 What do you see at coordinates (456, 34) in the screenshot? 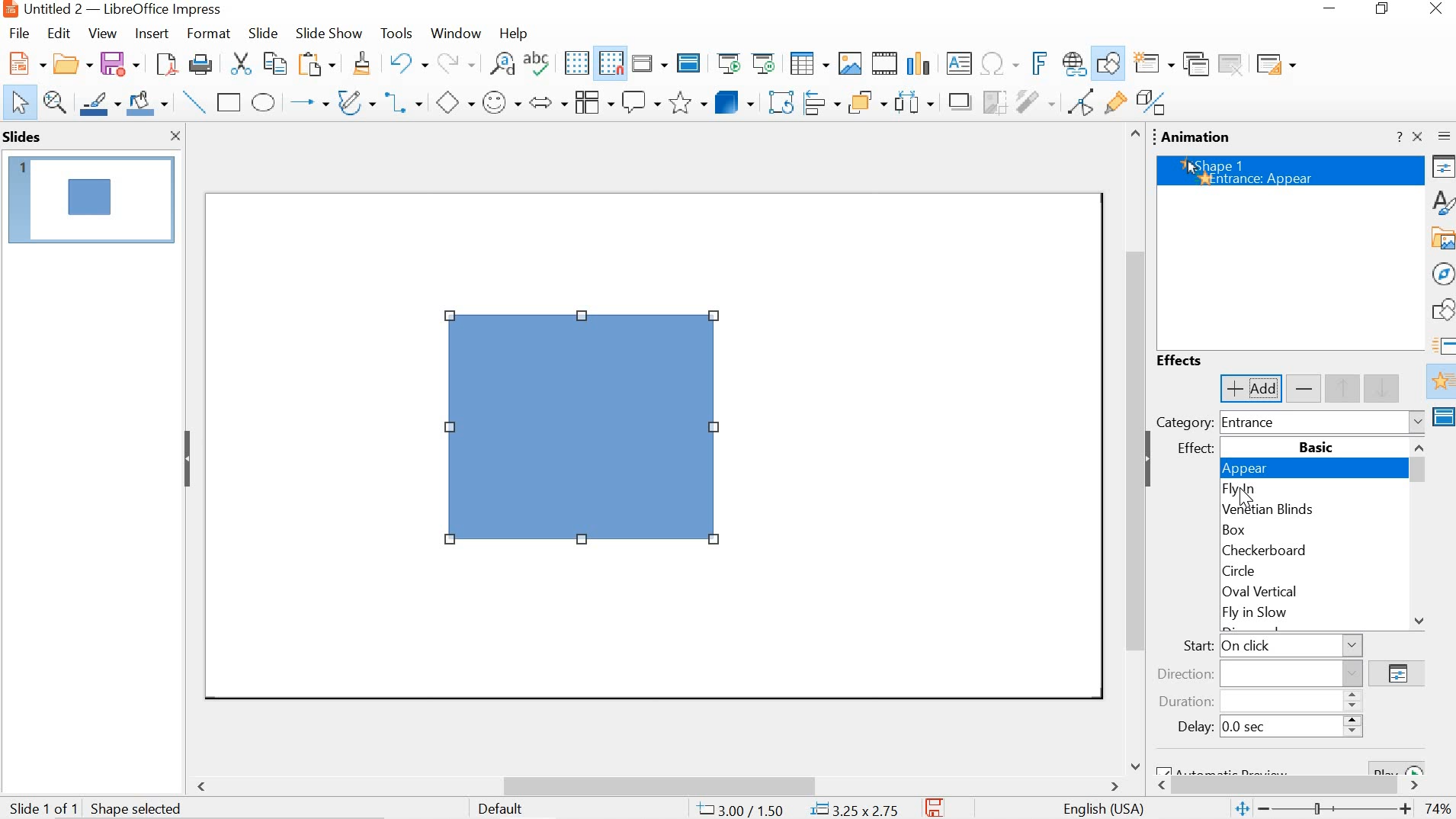
I see `window` at bounding box center [456, 34].